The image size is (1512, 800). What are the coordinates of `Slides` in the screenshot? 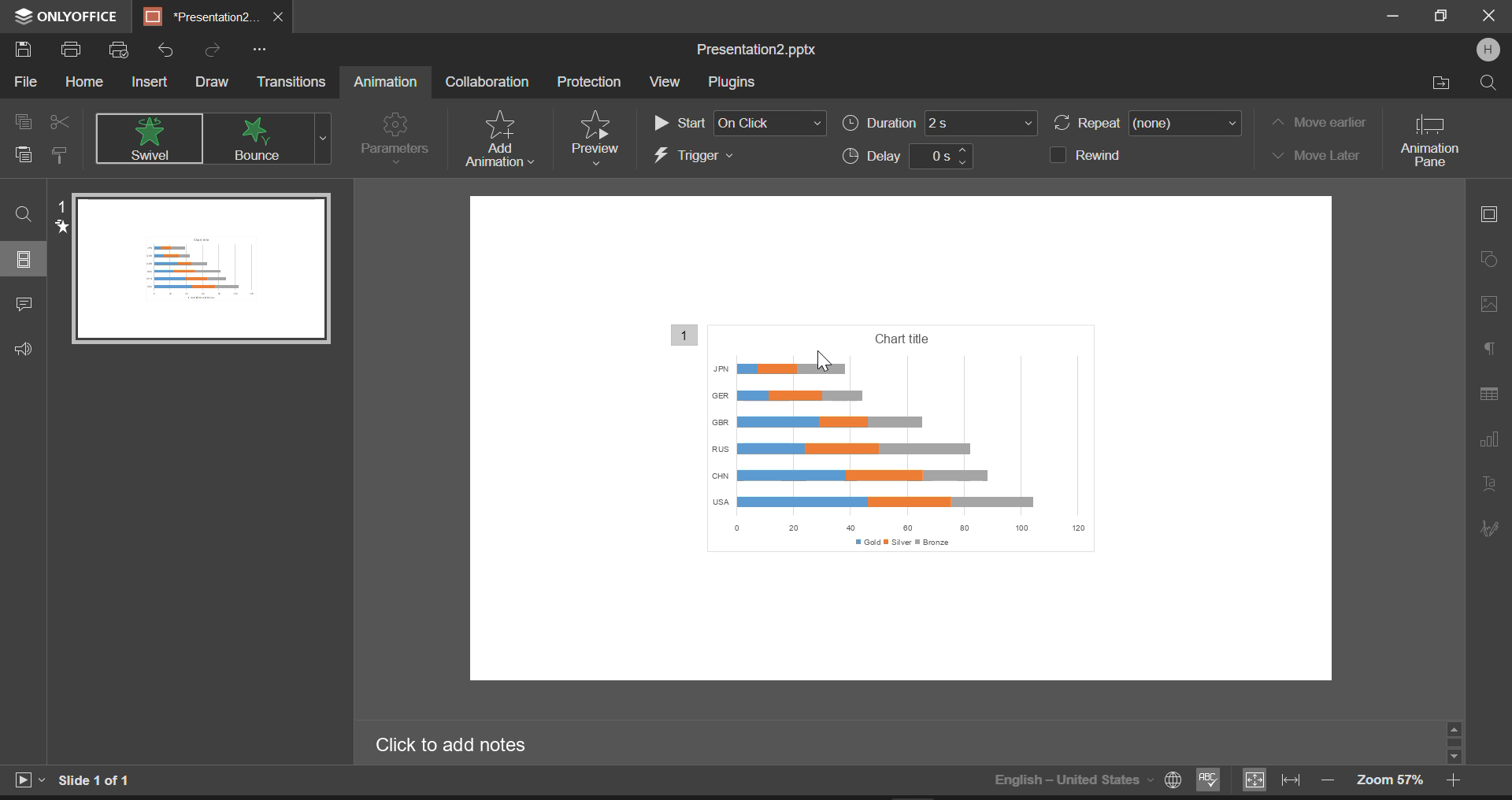 It's located at (25, 259).